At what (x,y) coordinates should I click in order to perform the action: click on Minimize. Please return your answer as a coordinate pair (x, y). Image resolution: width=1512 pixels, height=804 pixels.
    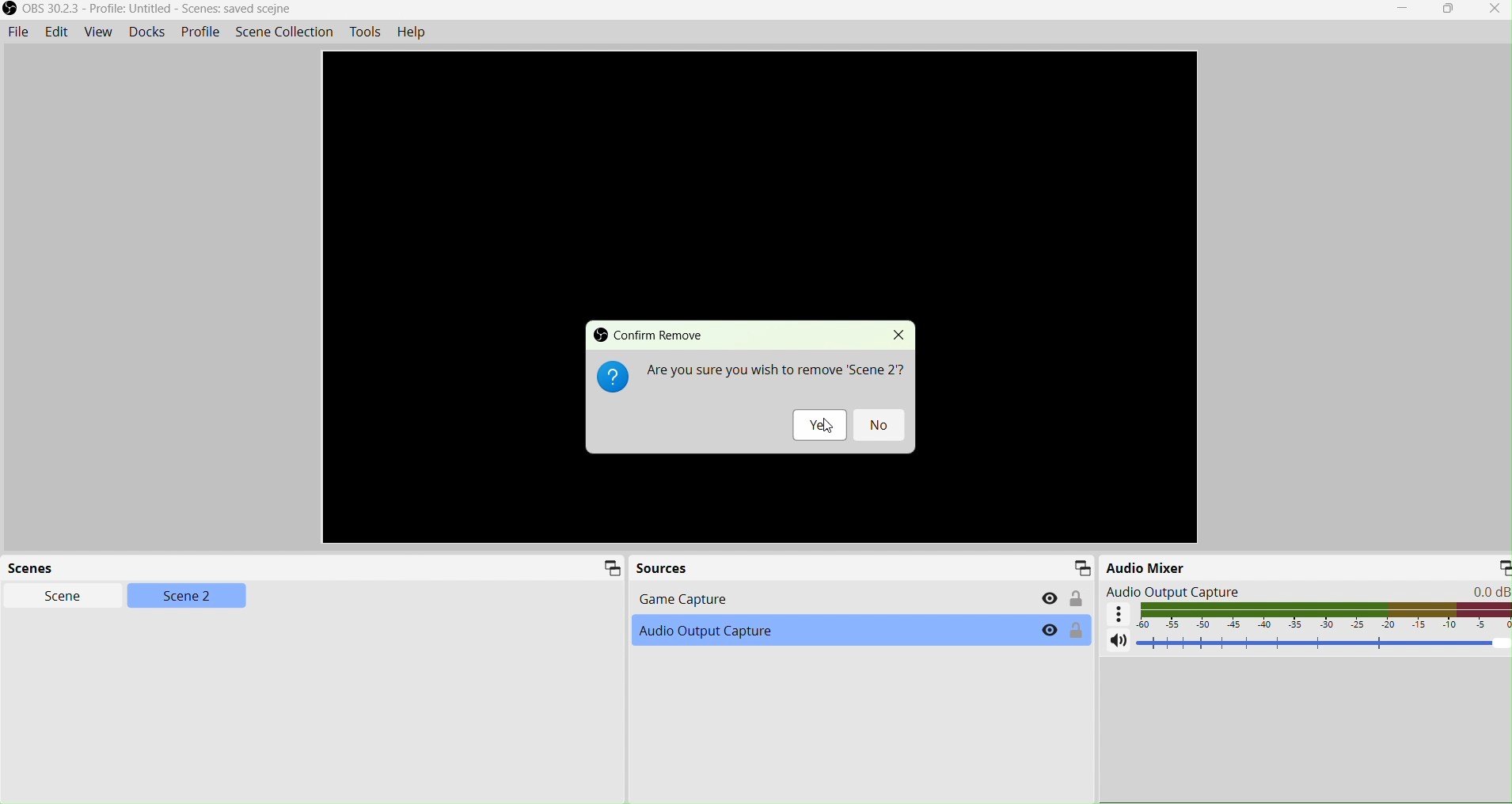
    Looking at the image, I should click on (609, 571).